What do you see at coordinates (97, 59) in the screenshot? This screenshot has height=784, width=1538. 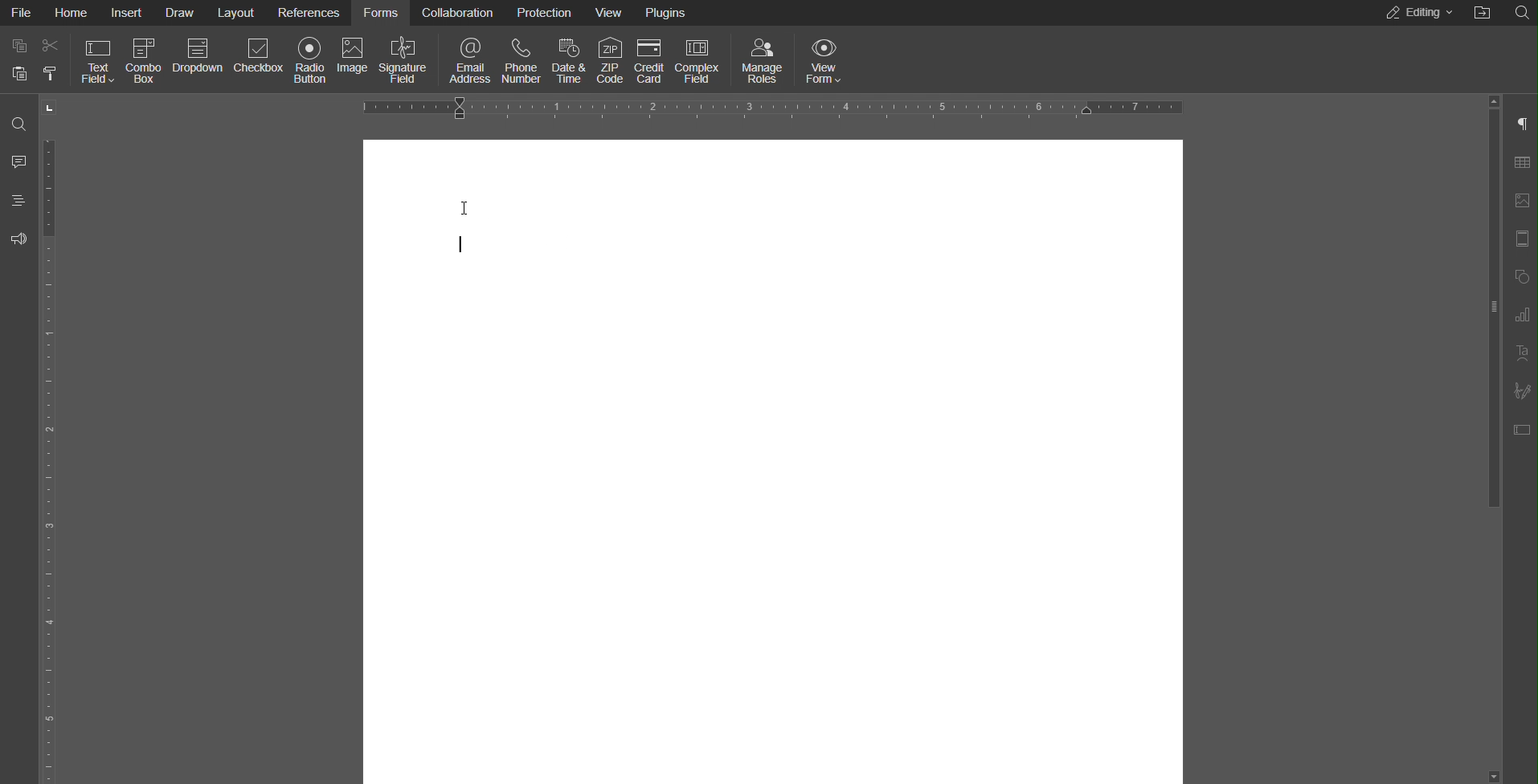 I see `Text Field` at bounding box center [97, 59].